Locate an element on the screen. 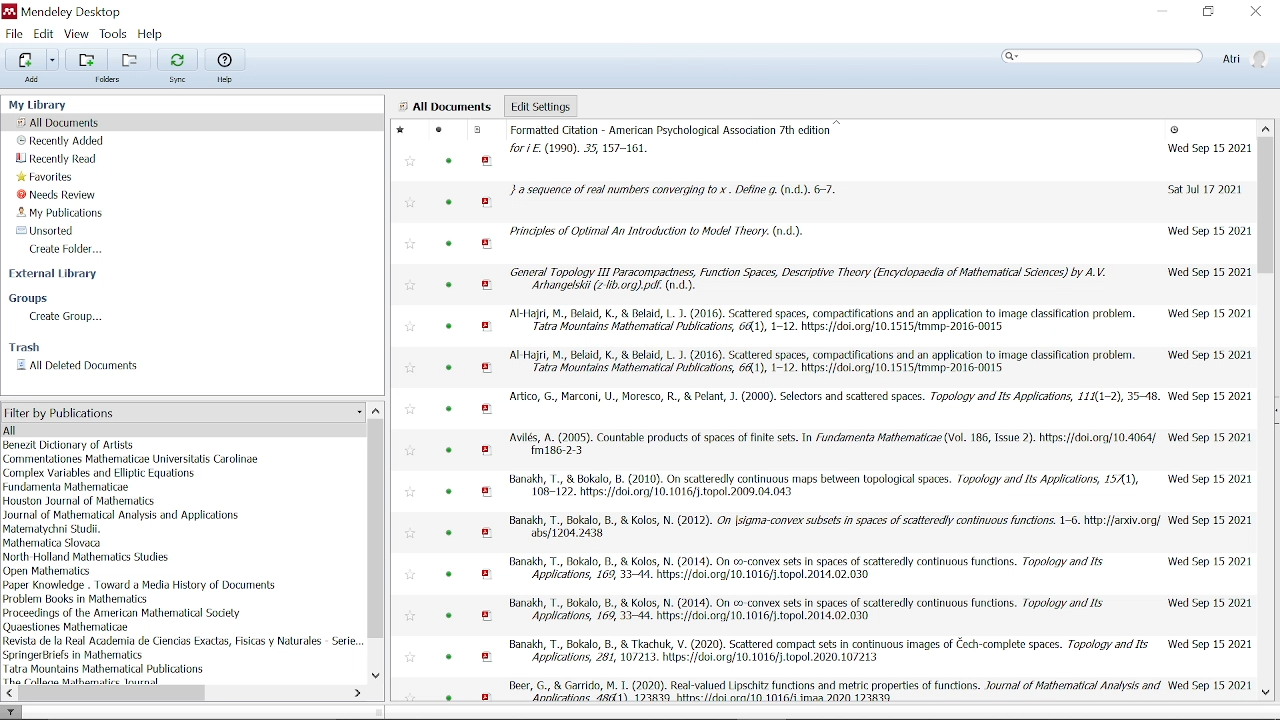  Horizontal scrollbar for filter by publications is located at coordinates (115, 693).